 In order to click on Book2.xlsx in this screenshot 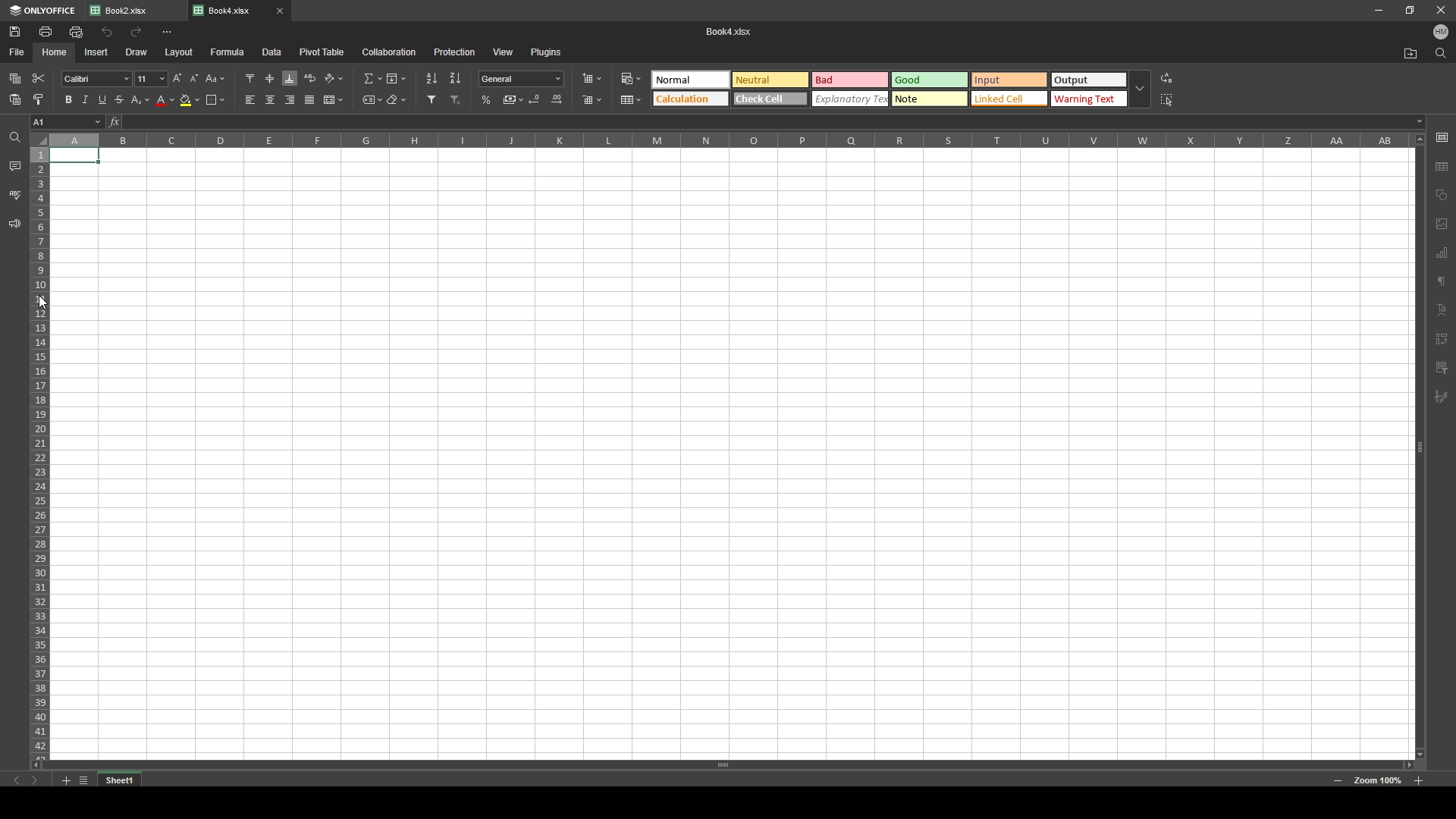, I will do `click(126, 11)`.